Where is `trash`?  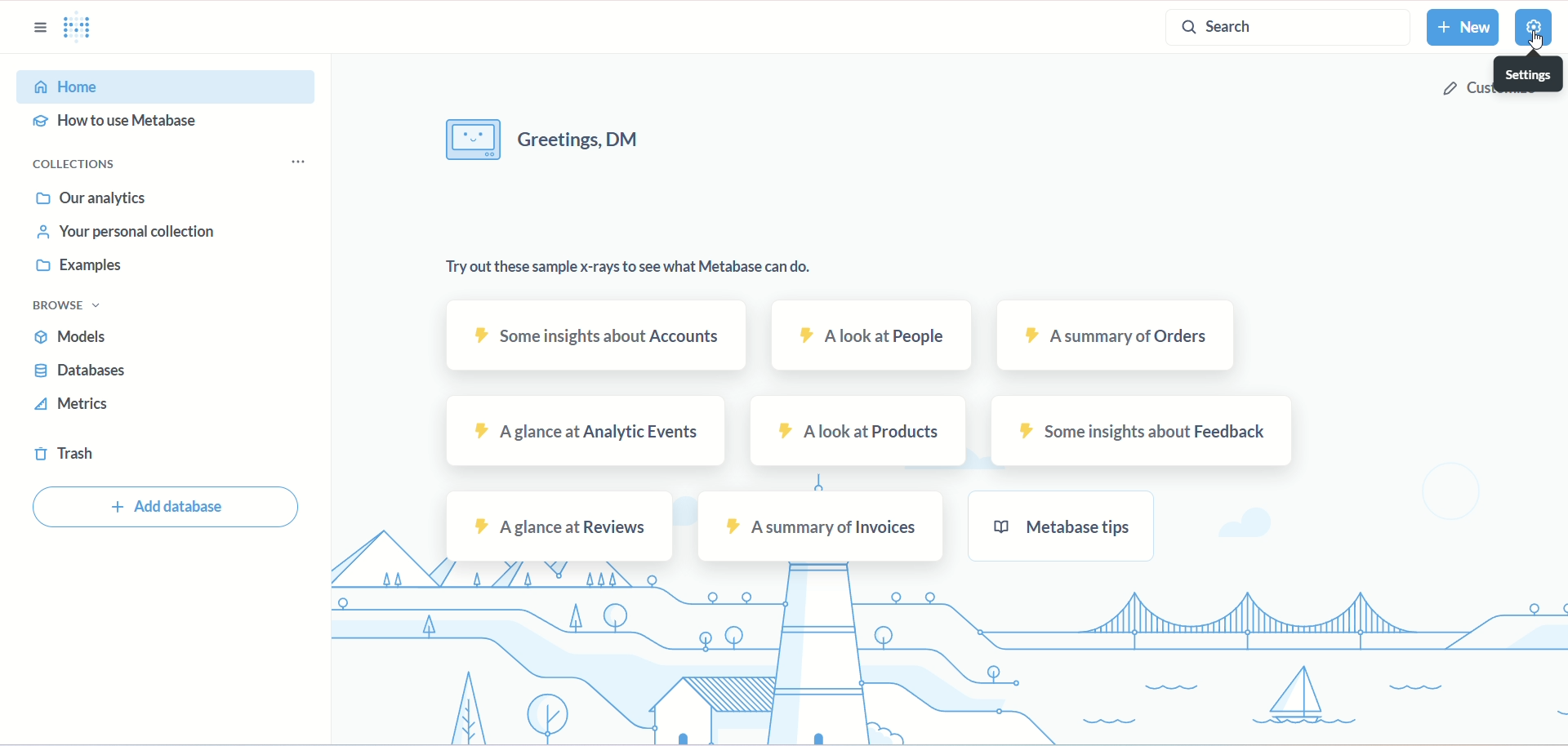
trash is located at coordinates (62, 452).